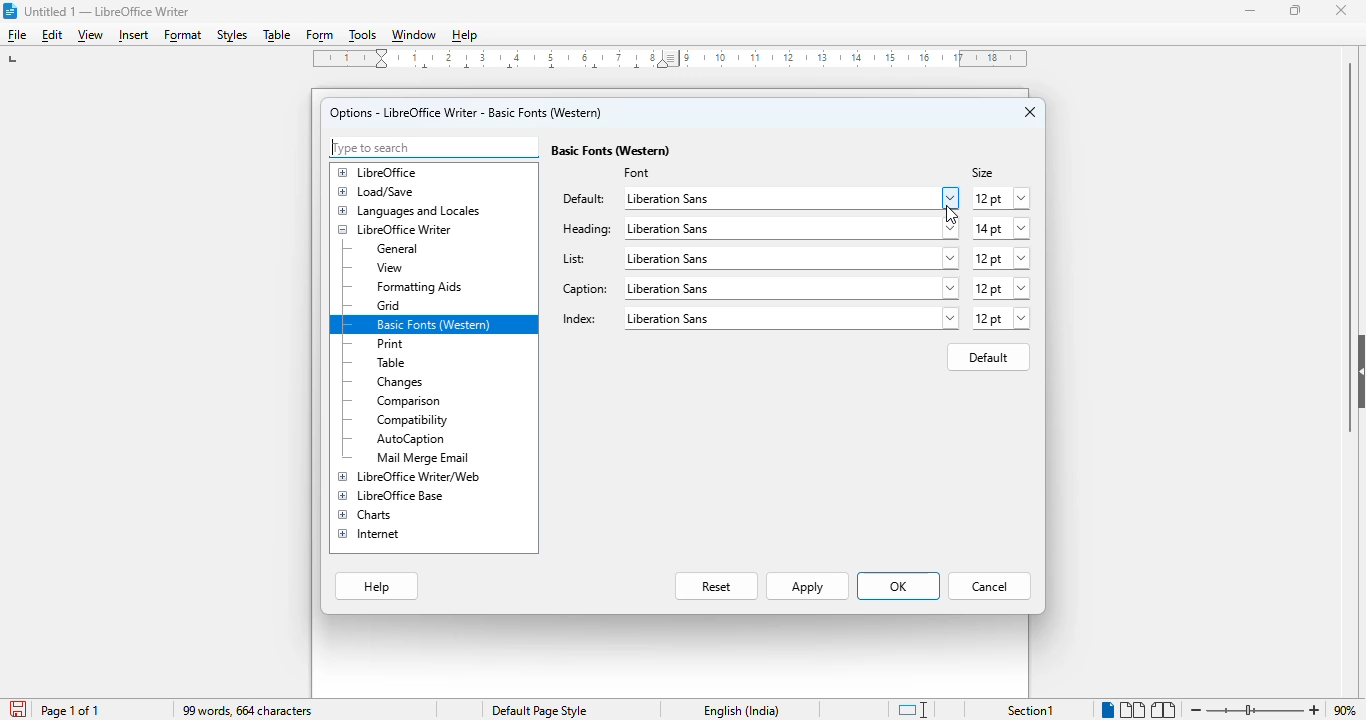  I want to click on file, so click(16, 35).